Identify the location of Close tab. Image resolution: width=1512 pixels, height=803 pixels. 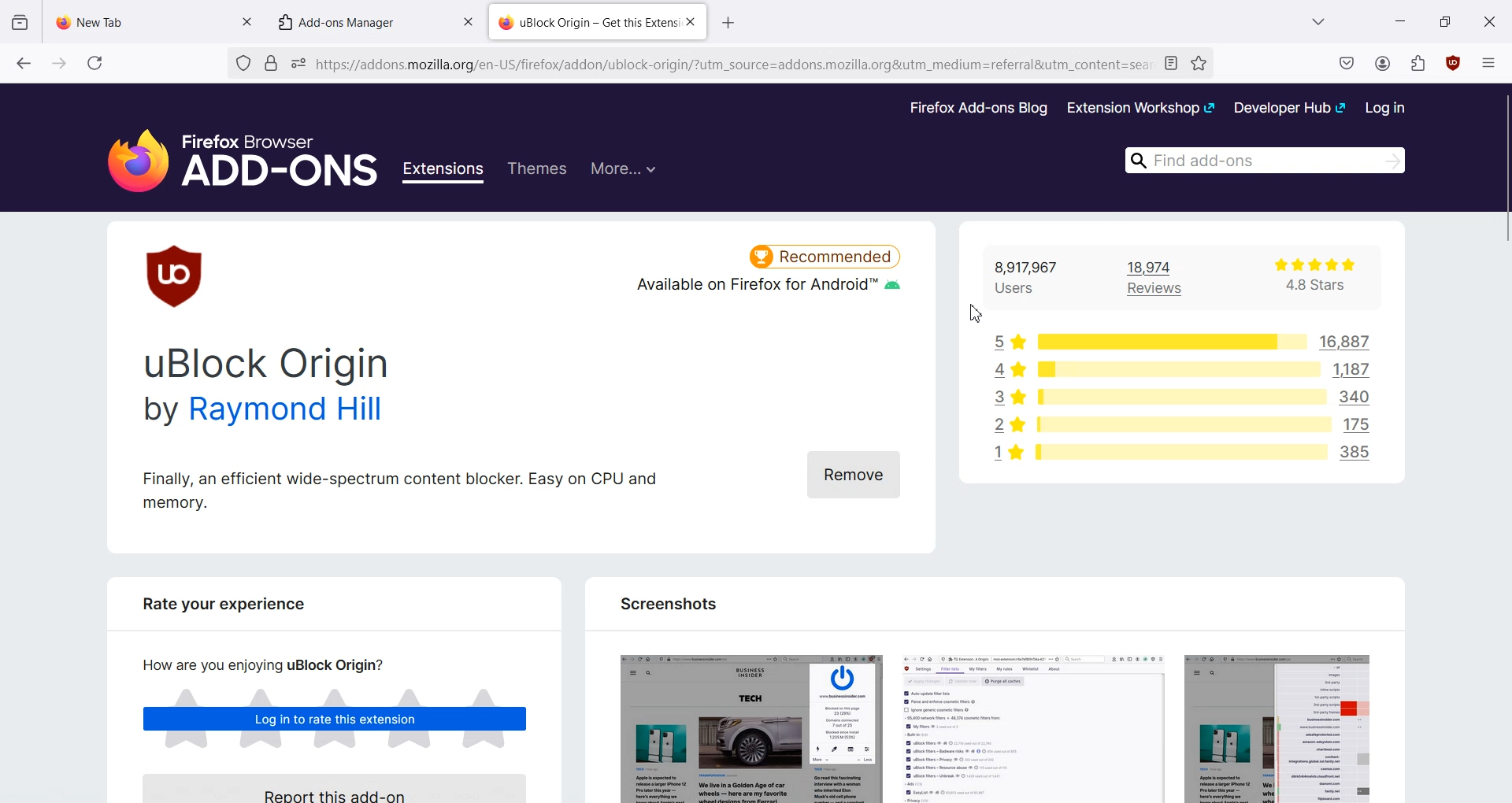
(246, 20).